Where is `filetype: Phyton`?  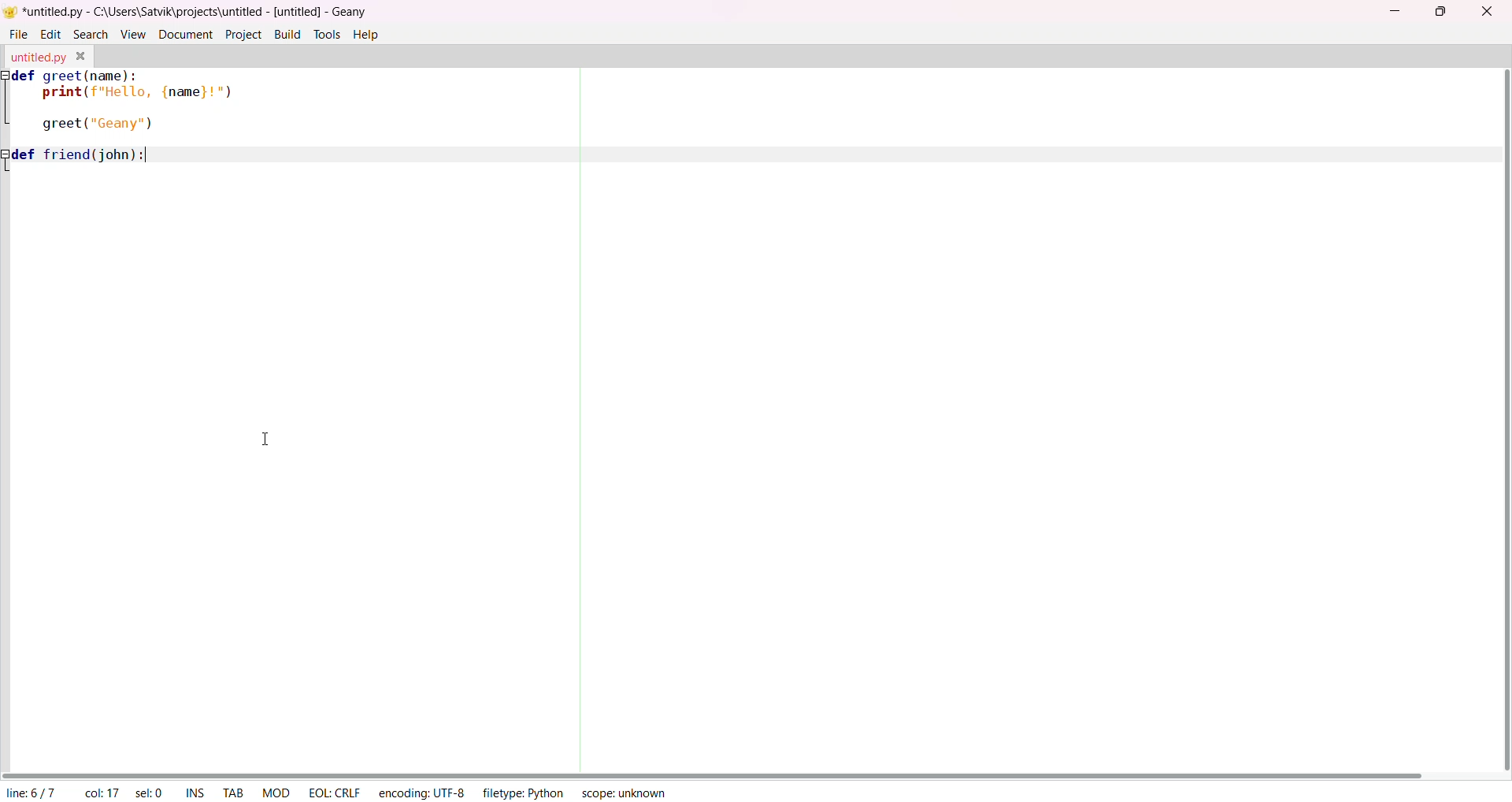
filetype: Phyton is located at coordinates (521, 792).